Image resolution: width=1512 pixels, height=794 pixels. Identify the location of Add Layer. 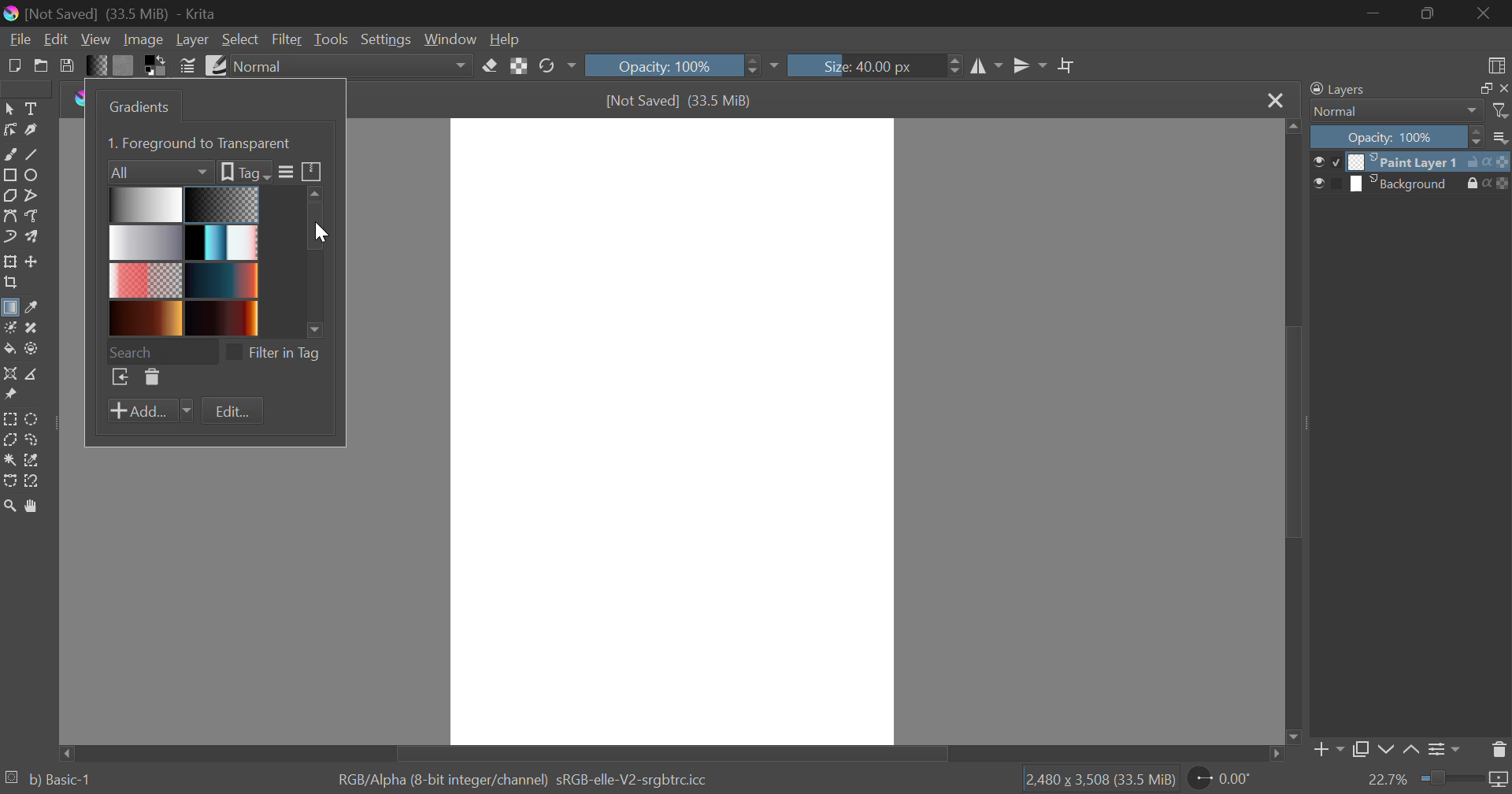
(1327, 753).